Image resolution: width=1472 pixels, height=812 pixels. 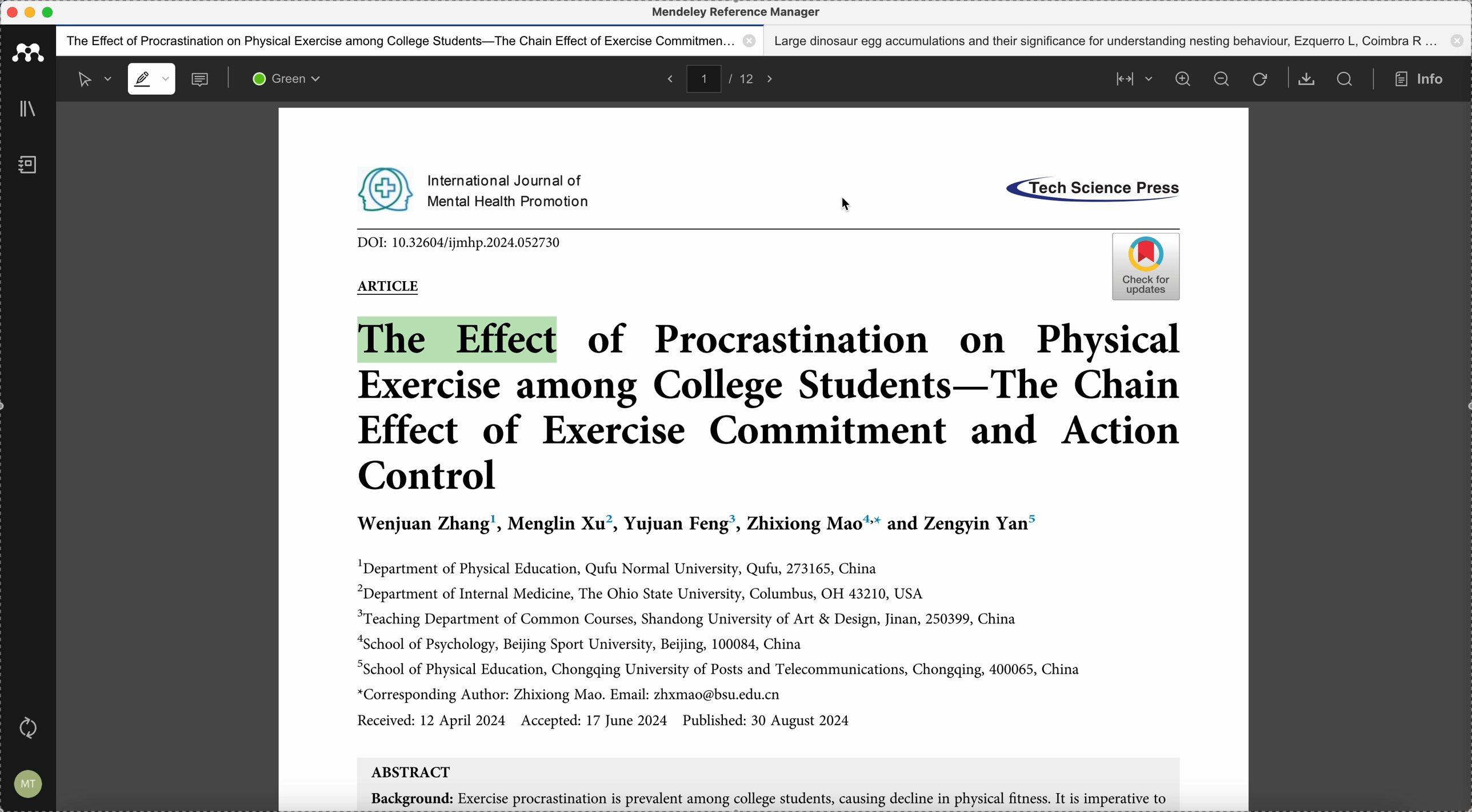 What do you see at coordinates (1131, 78) in the screenshot?
I see `align page` at bounding box center [1131, 78].